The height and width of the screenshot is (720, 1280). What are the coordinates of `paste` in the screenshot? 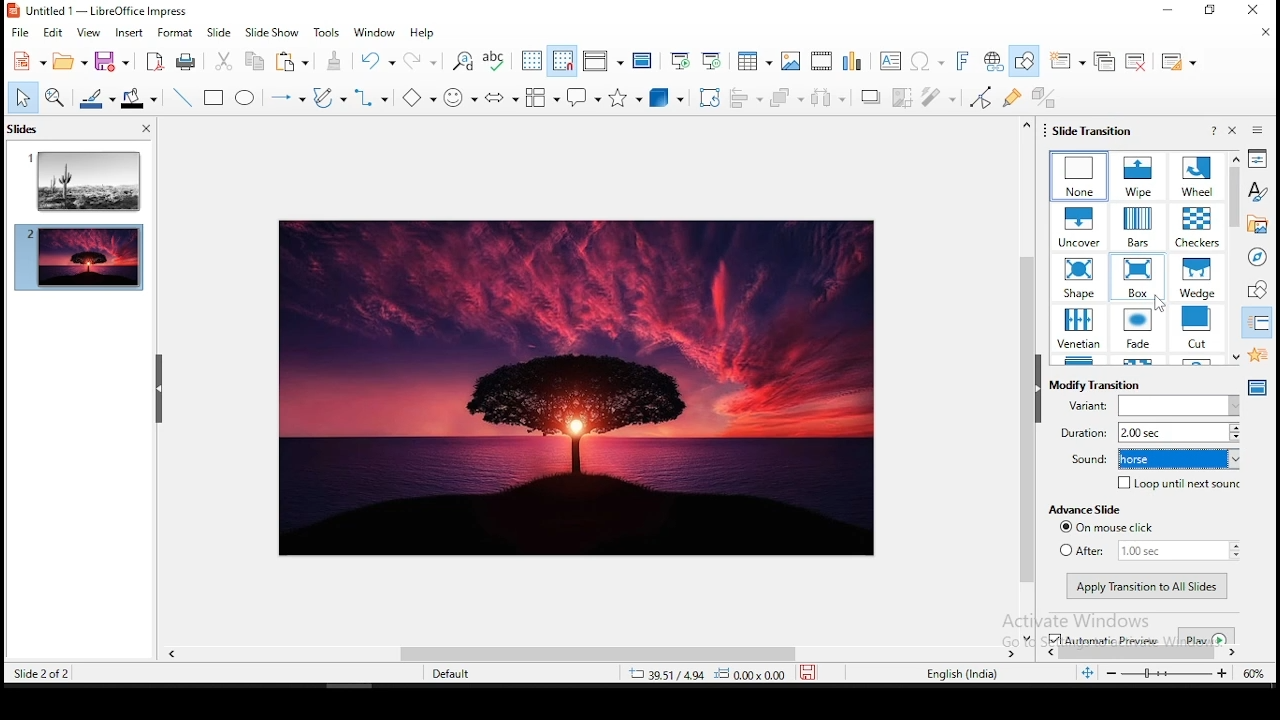 It's located at (335, 59).